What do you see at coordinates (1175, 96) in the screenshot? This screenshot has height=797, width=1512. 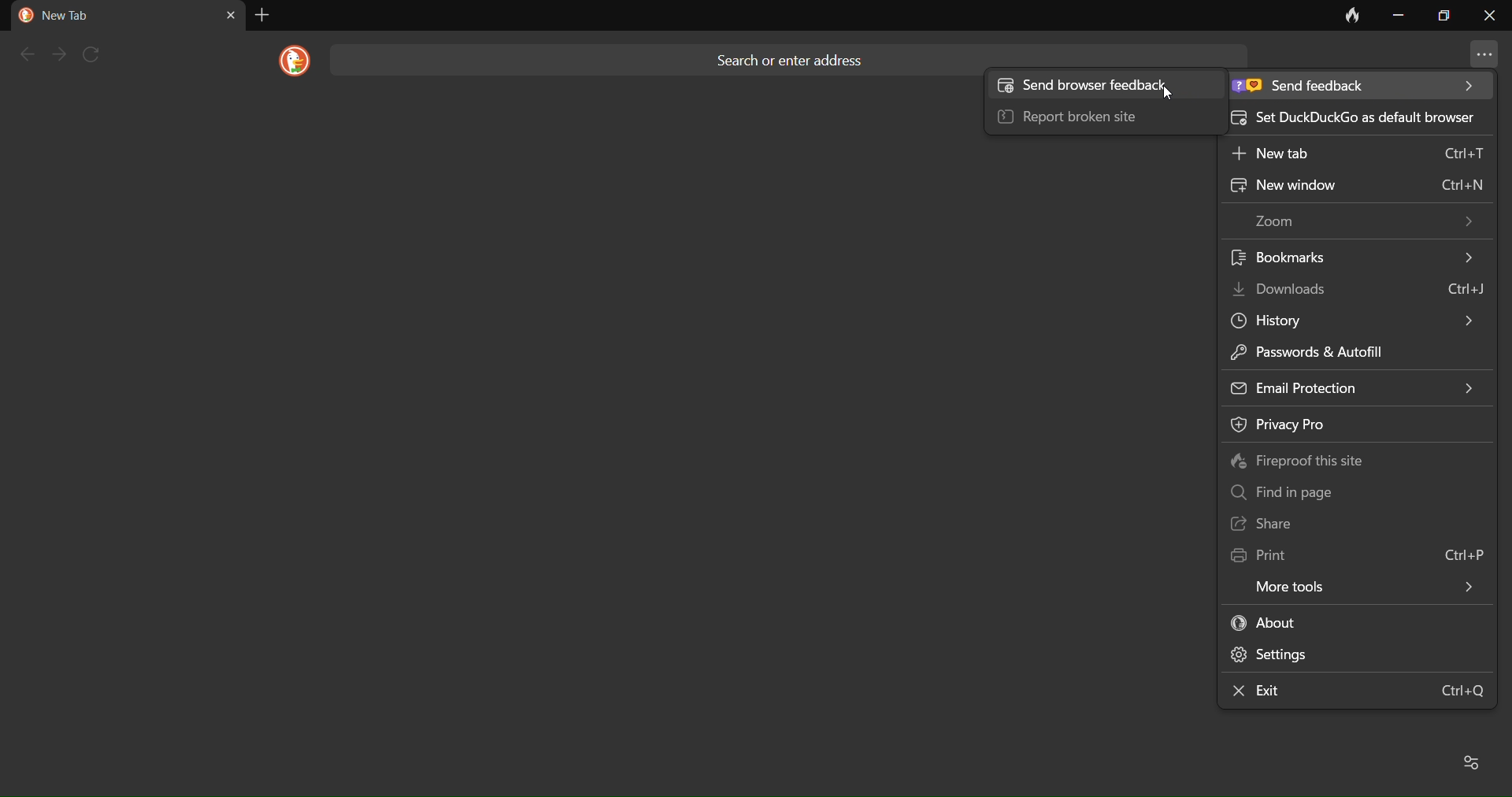 I see `cursor` at bounding box center [1175, 96].